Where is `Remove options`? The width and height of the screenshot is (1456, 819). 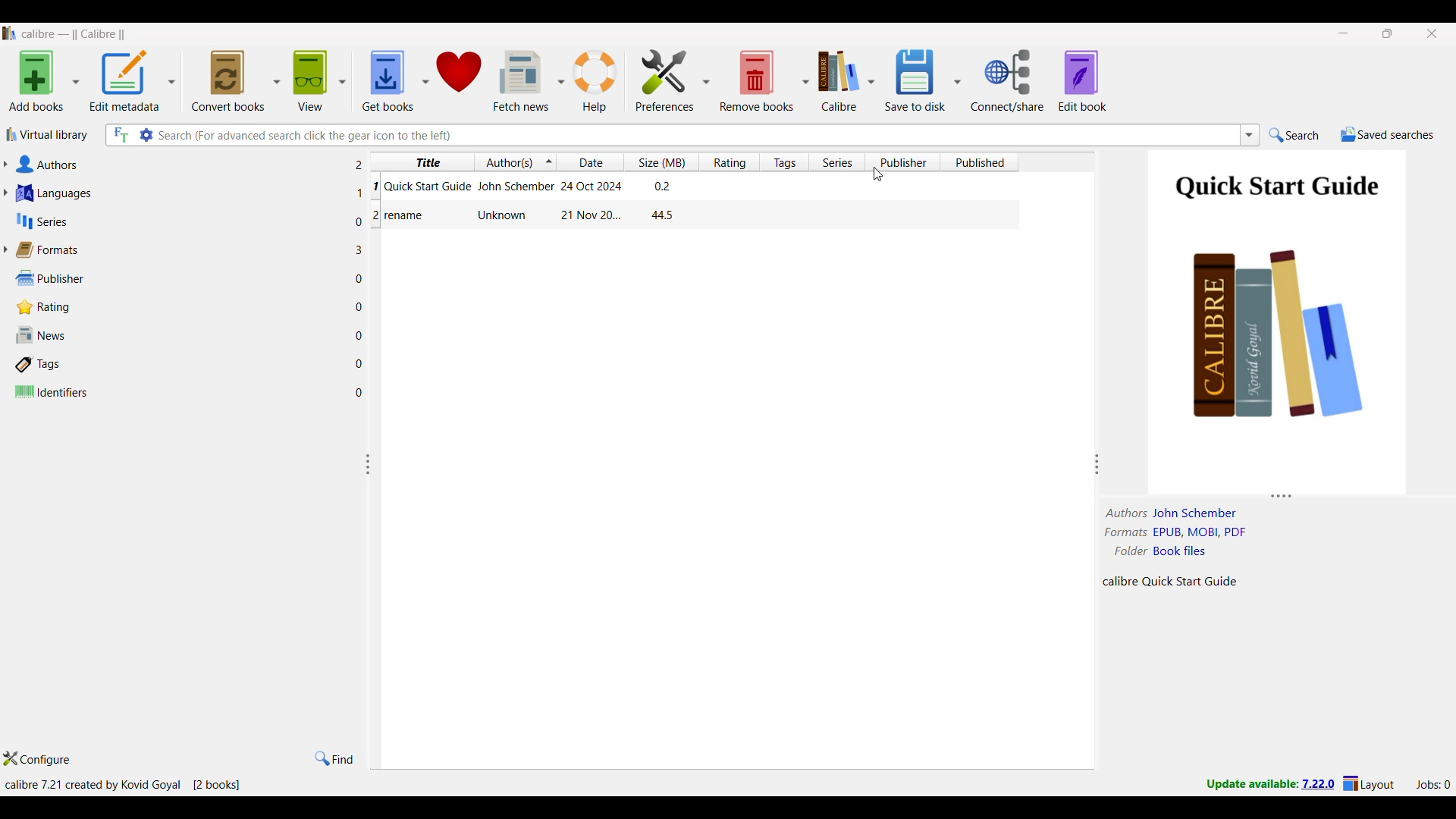
Remove options is located at coordinates (764, 80).